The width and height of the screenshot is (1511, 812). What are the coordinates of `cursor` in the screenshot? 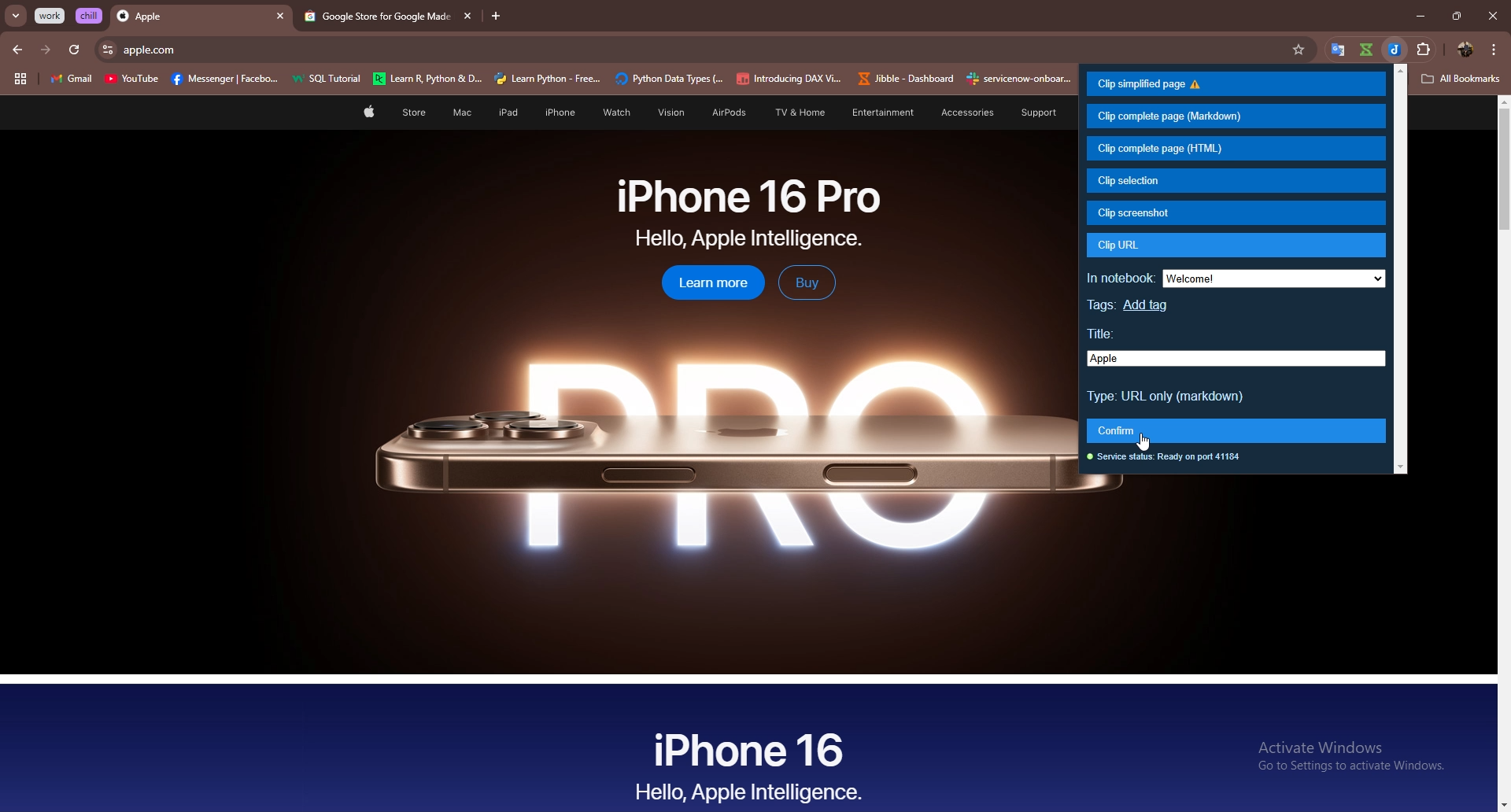 It's located at (1147, 441).